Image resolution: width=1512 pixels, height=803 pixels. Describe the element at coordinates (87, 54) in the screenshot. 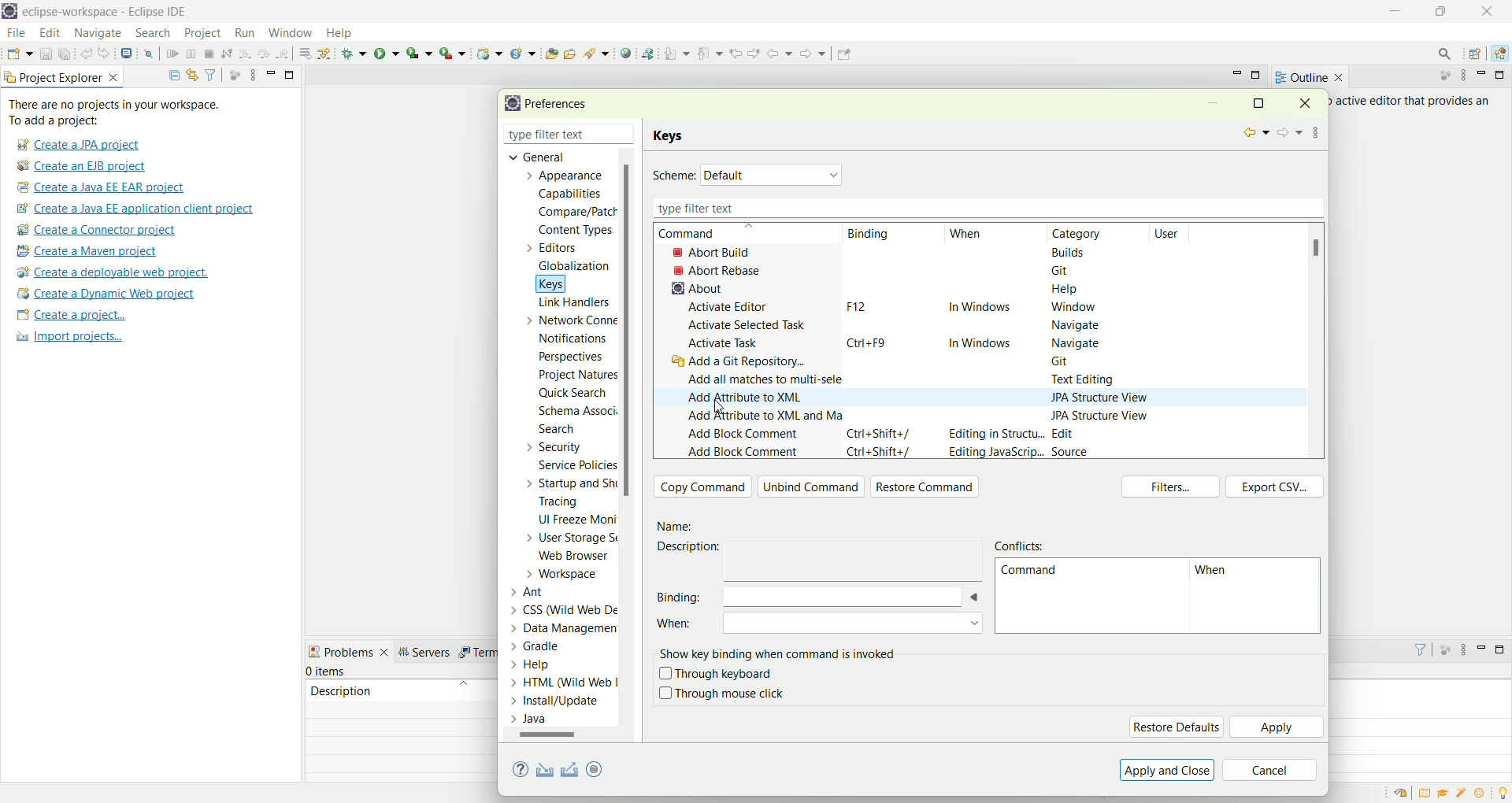

I see `undo` at that location.